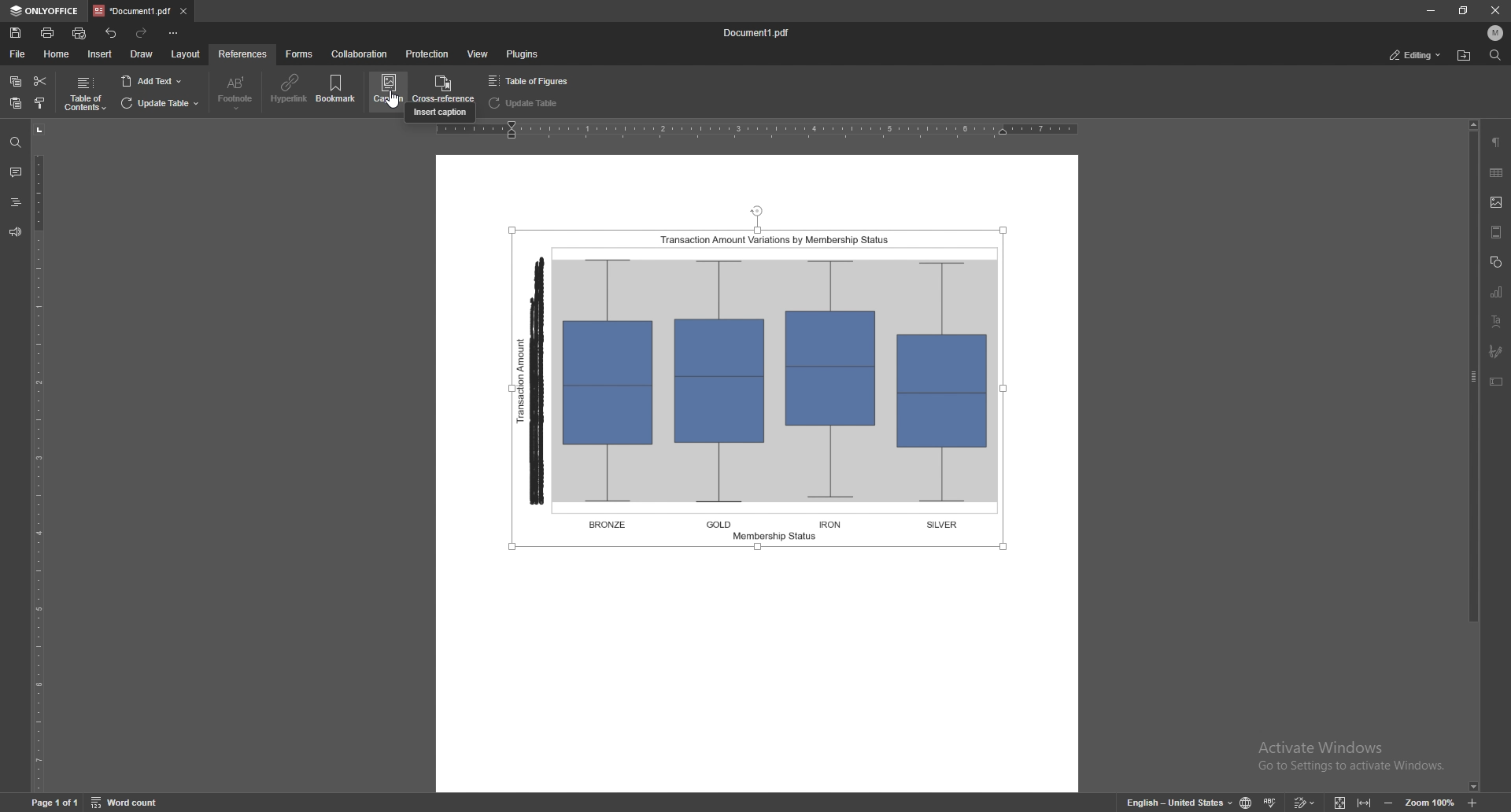 This screenshot has height=812, width=1511. Describe the element at coordinates (1498, 352) in the screenshot. I see `signature` at that location.